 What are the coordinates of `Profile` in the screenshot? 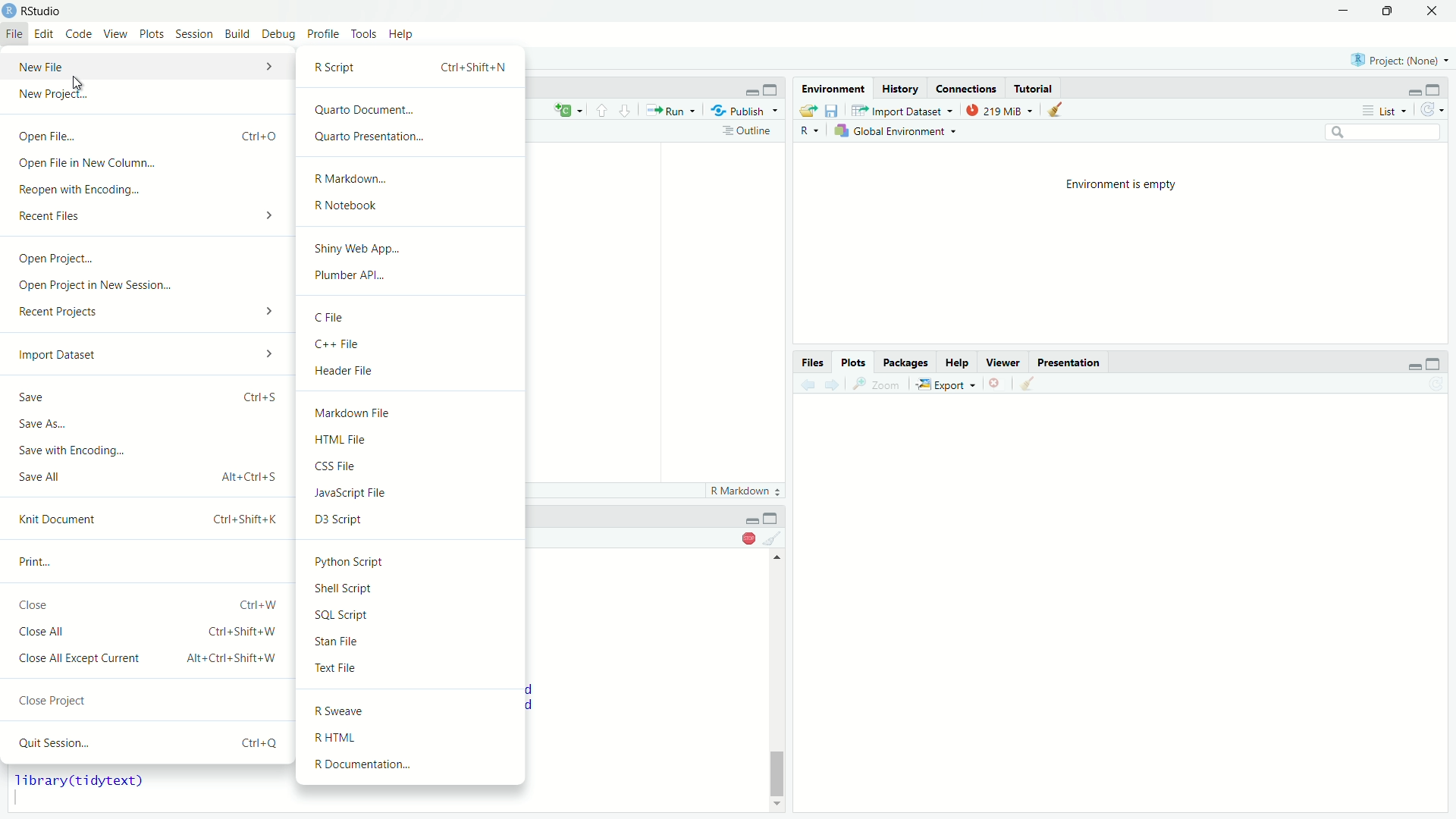 It's located at (322, 35).